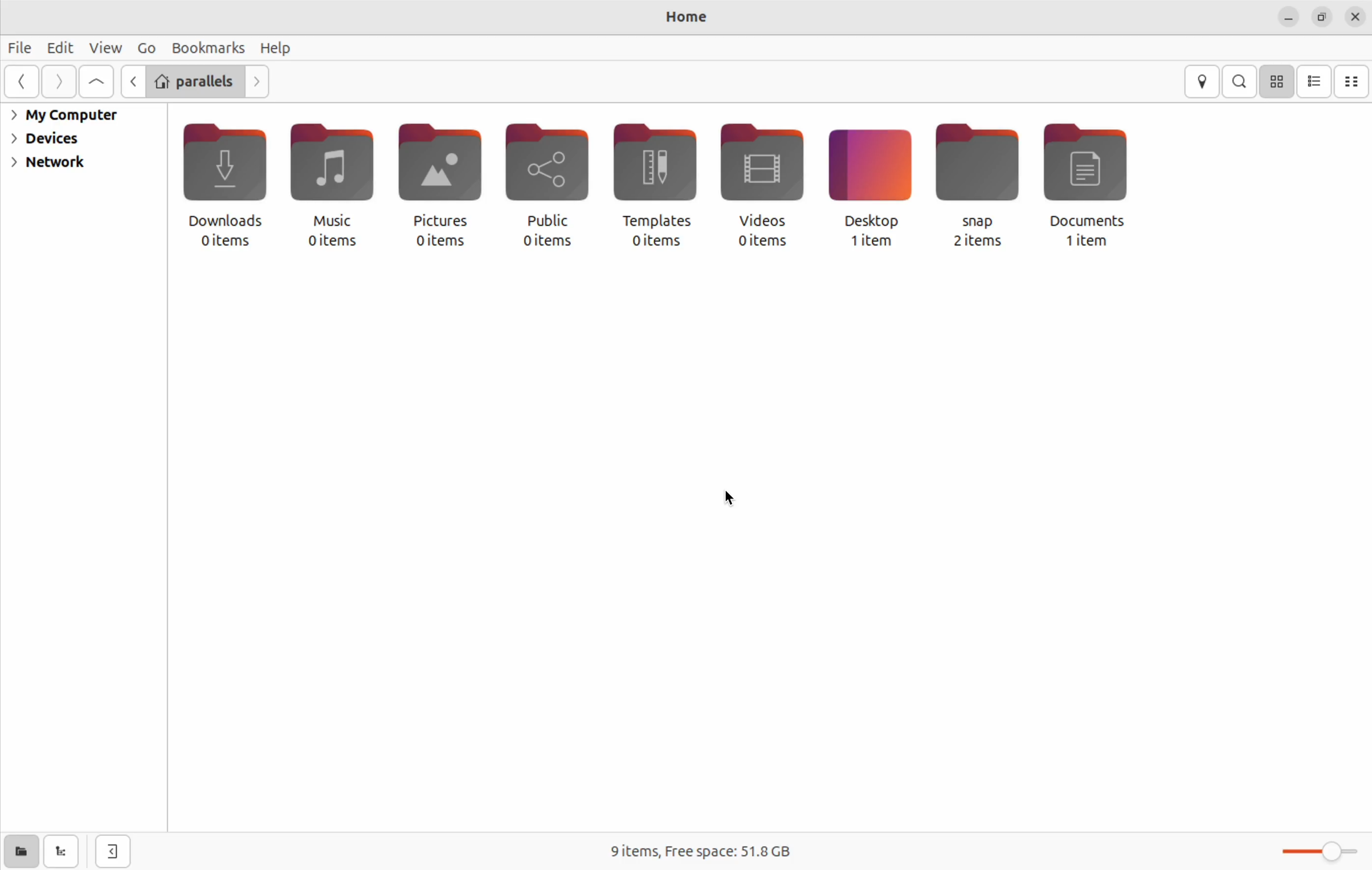  What do you see at coordinates (759, 187) in the screenshot?
I see `videos 0 items` at bounding box center [759, 187].